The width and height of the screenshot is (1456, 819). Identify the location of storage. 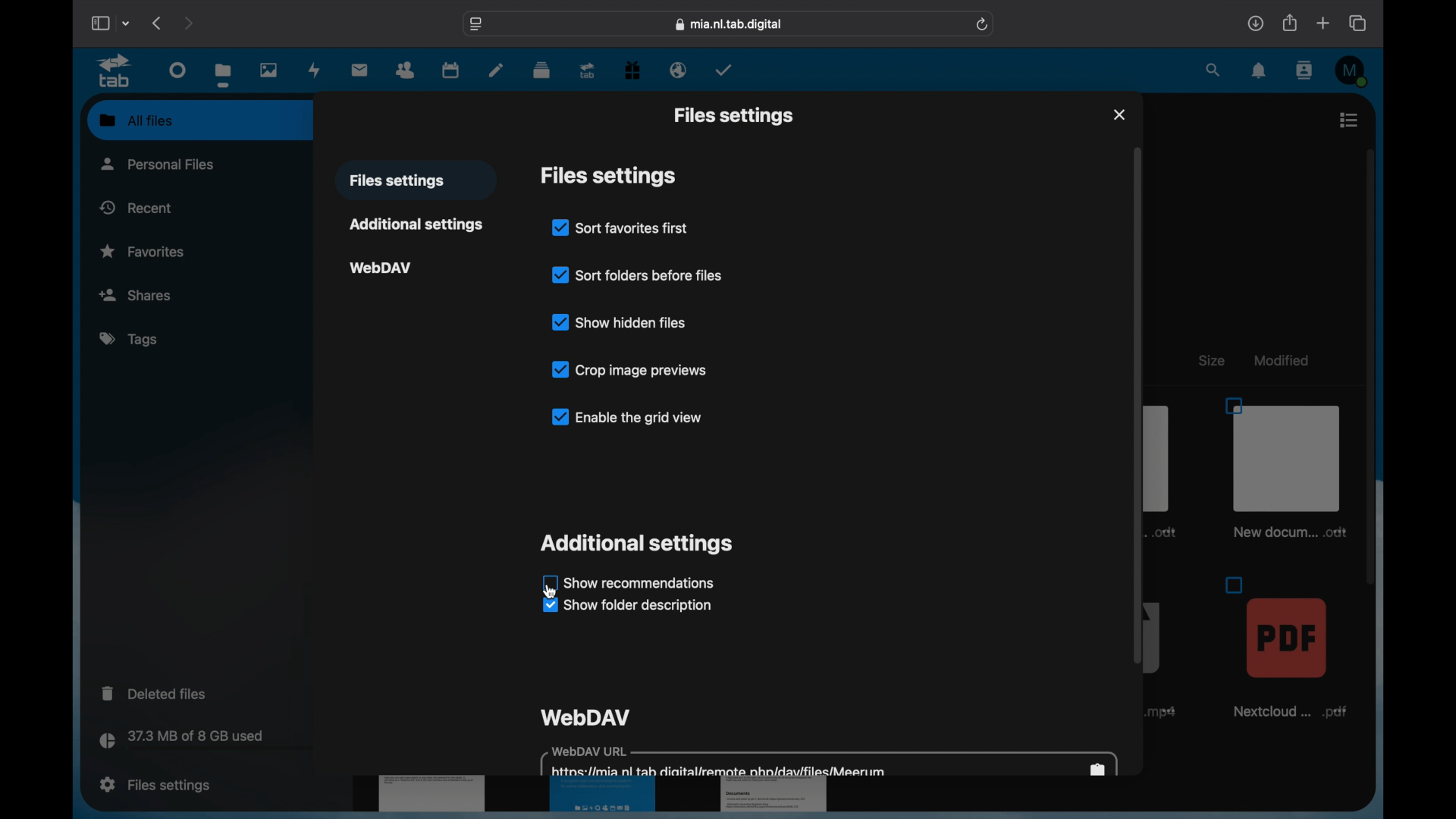
(212, 742).